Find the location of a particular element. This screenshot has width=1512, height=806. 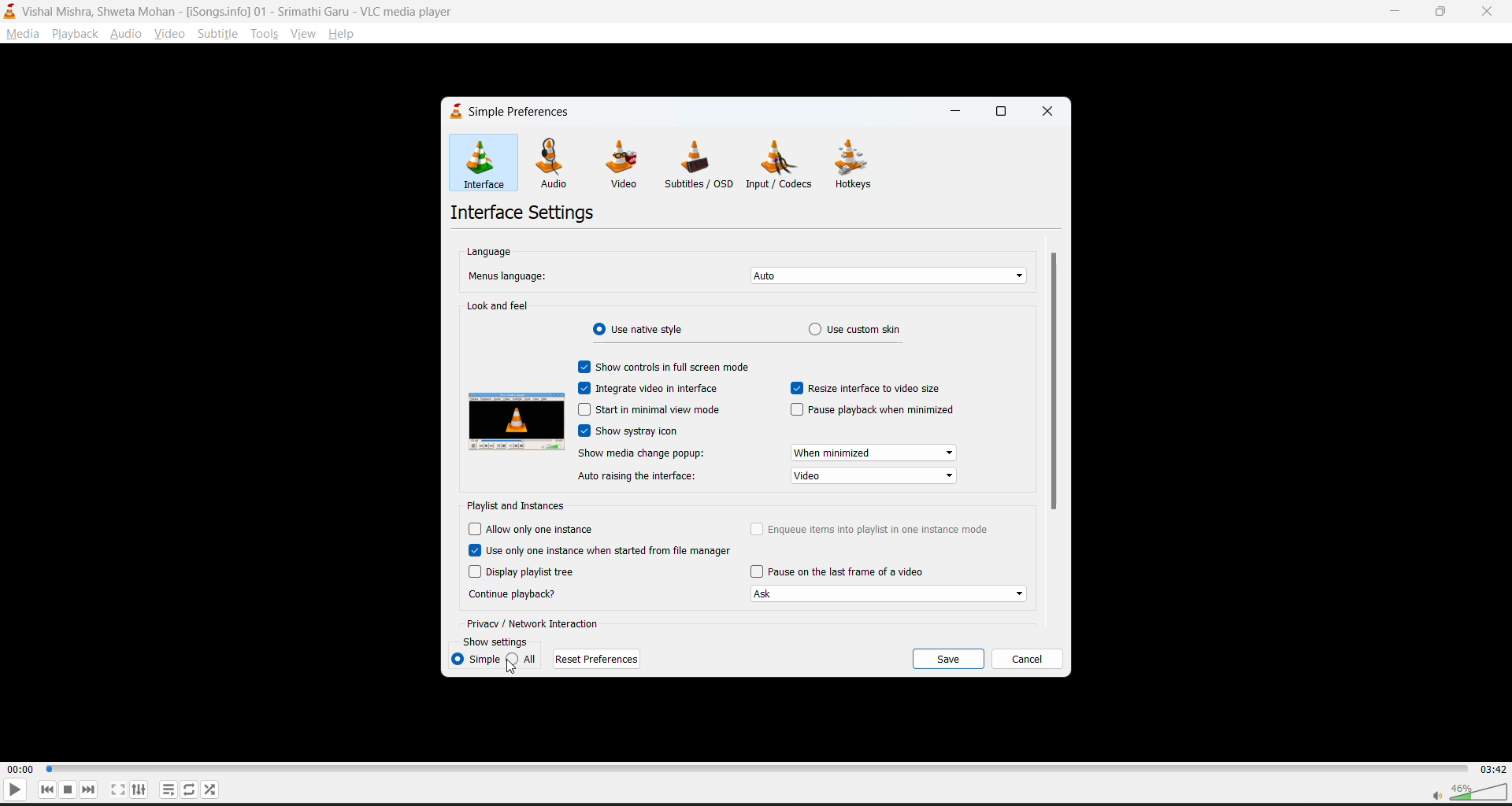

loop is located at coordinates (184, 786).